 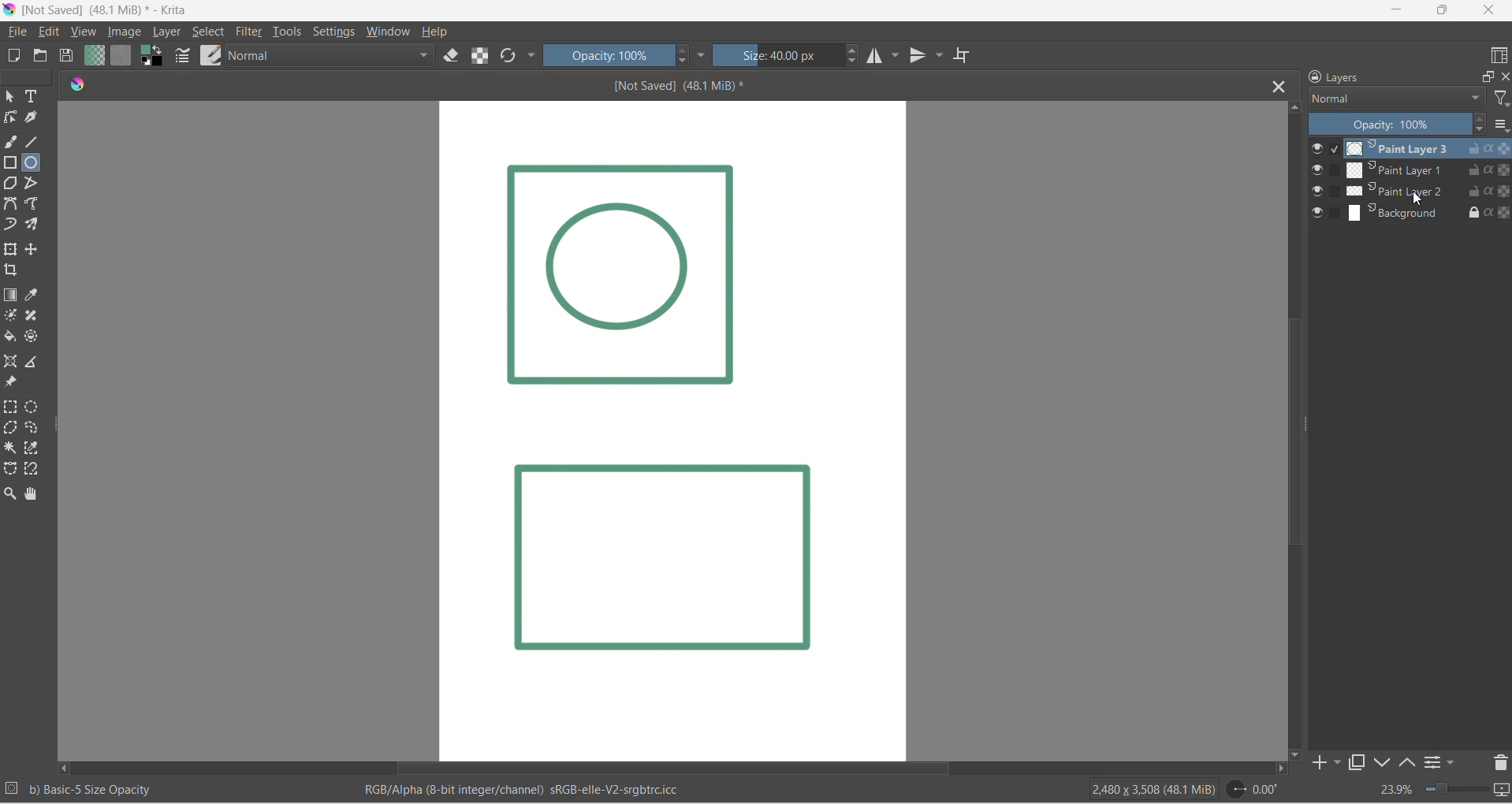 I want to click on settings, so click(x=336, y=33).